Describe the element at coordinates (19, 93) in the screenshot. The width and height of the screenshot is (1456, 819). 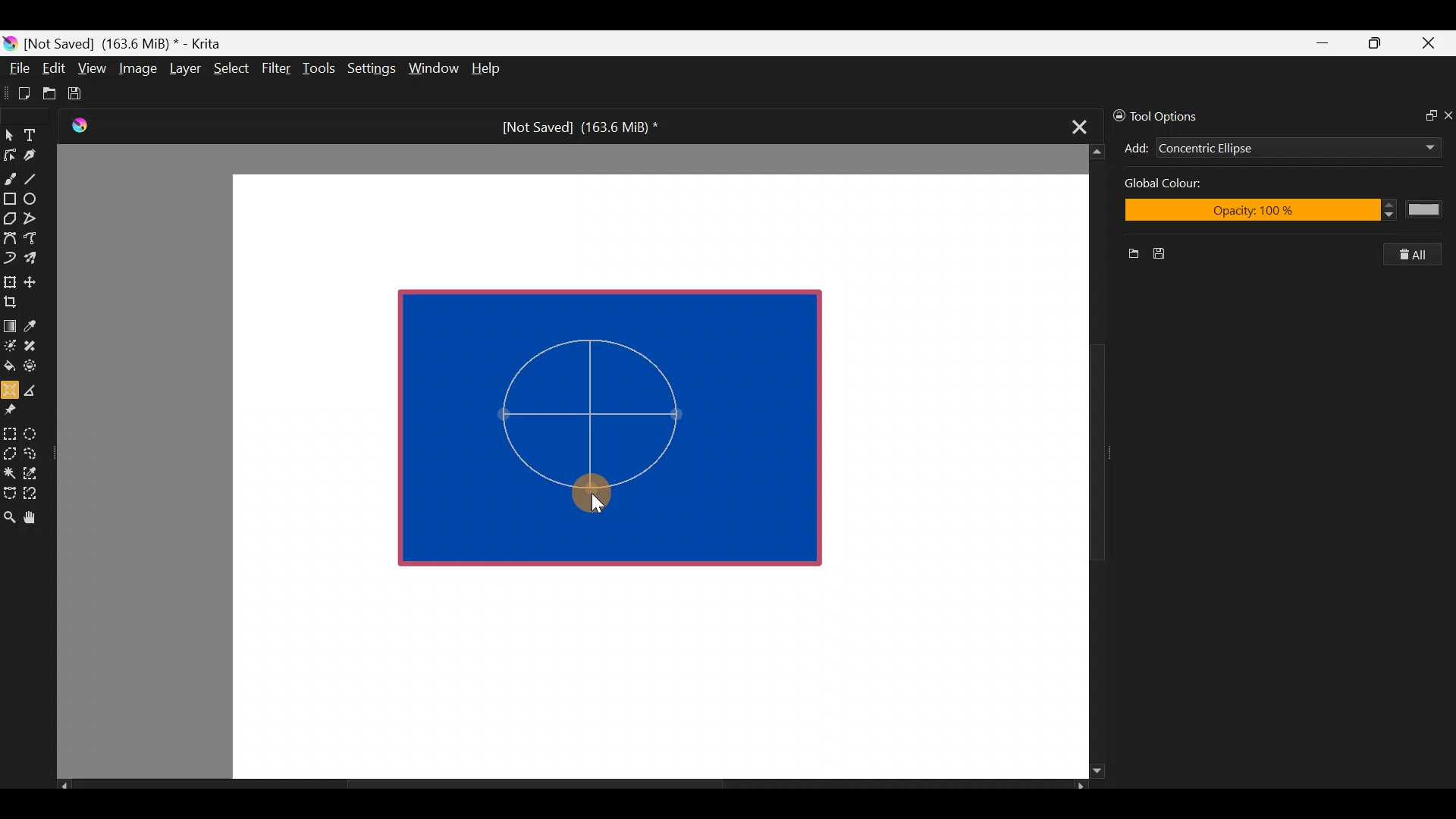
I see `Create new document` at that location.